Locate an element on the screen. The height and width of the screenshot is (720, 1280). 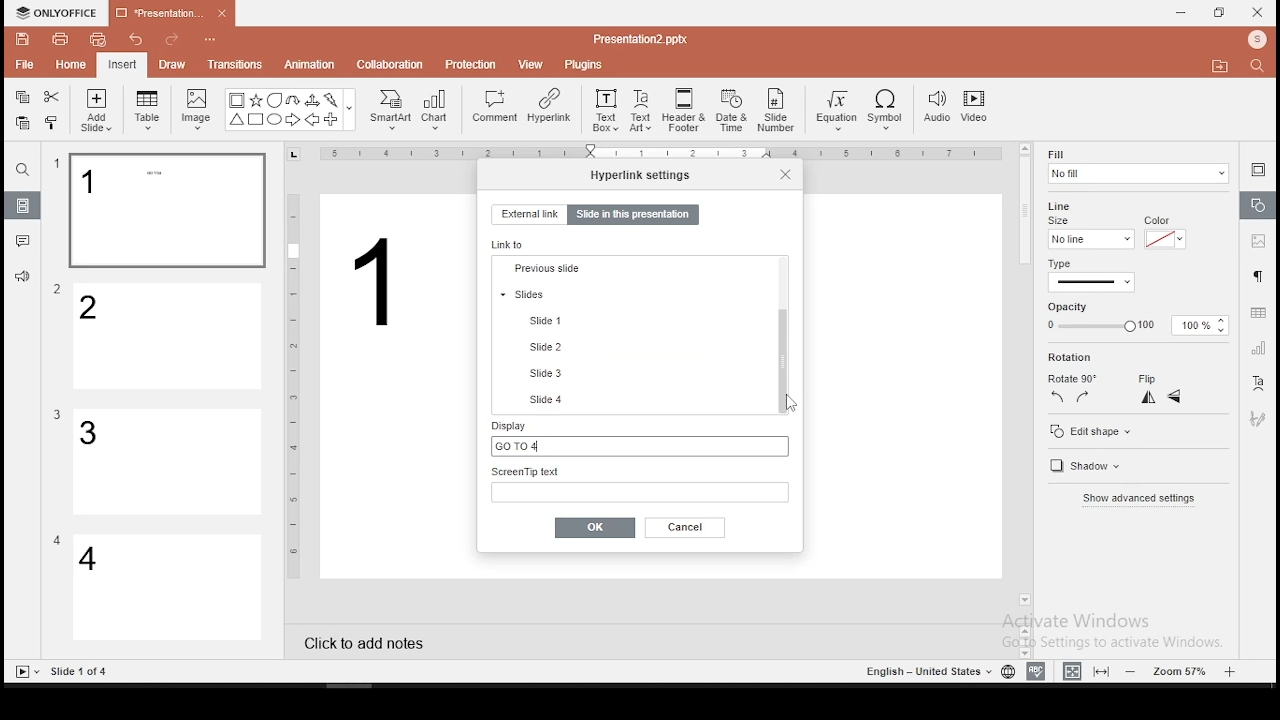
fit to width is located at coordinates (1068, 670).